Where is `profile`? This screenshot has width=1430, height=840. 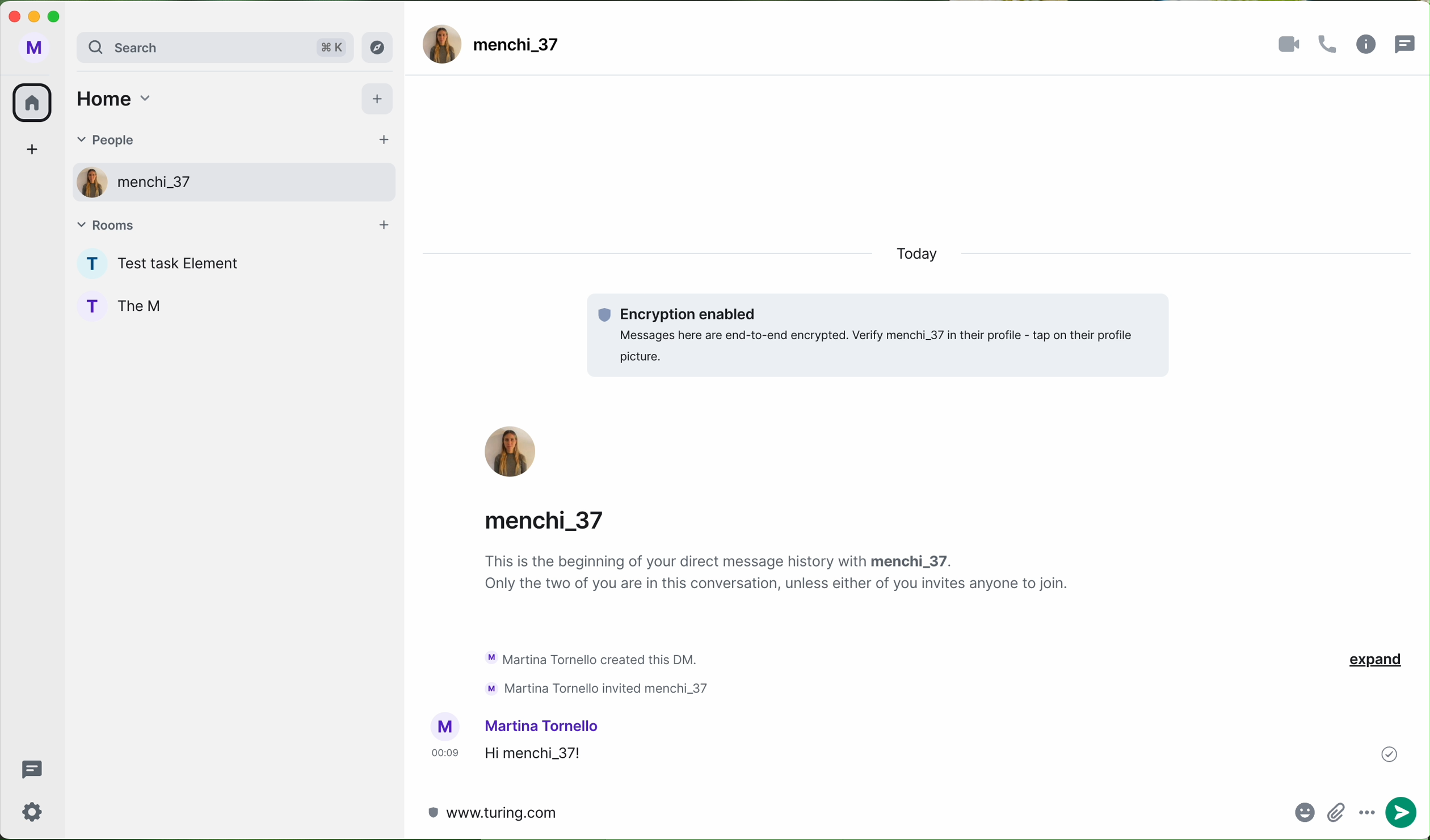 profile is located at coordinates (88, 264).